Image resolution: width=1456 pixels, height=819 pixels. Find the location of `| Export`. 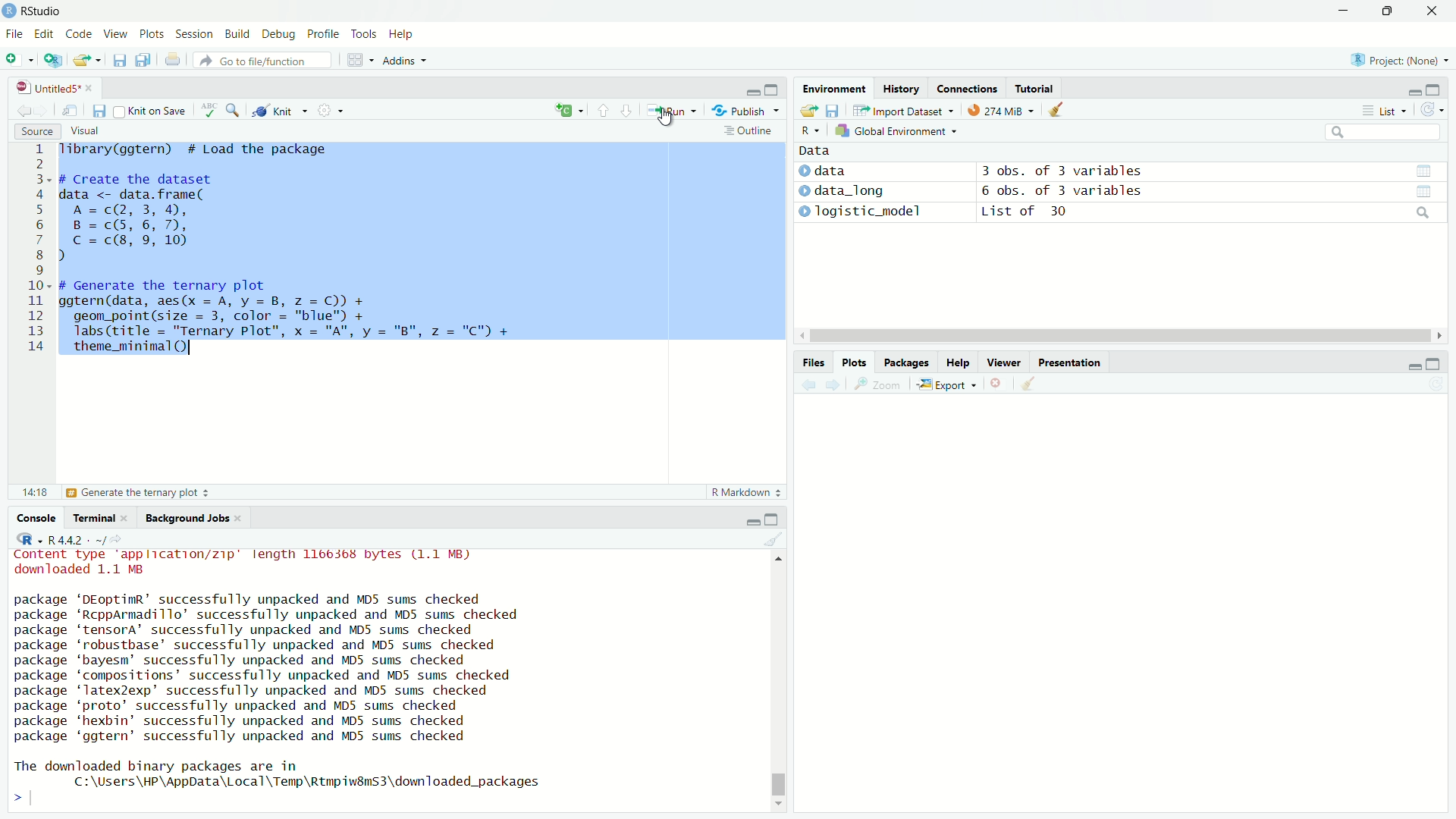

| Export is located at coordinates (943, 385).